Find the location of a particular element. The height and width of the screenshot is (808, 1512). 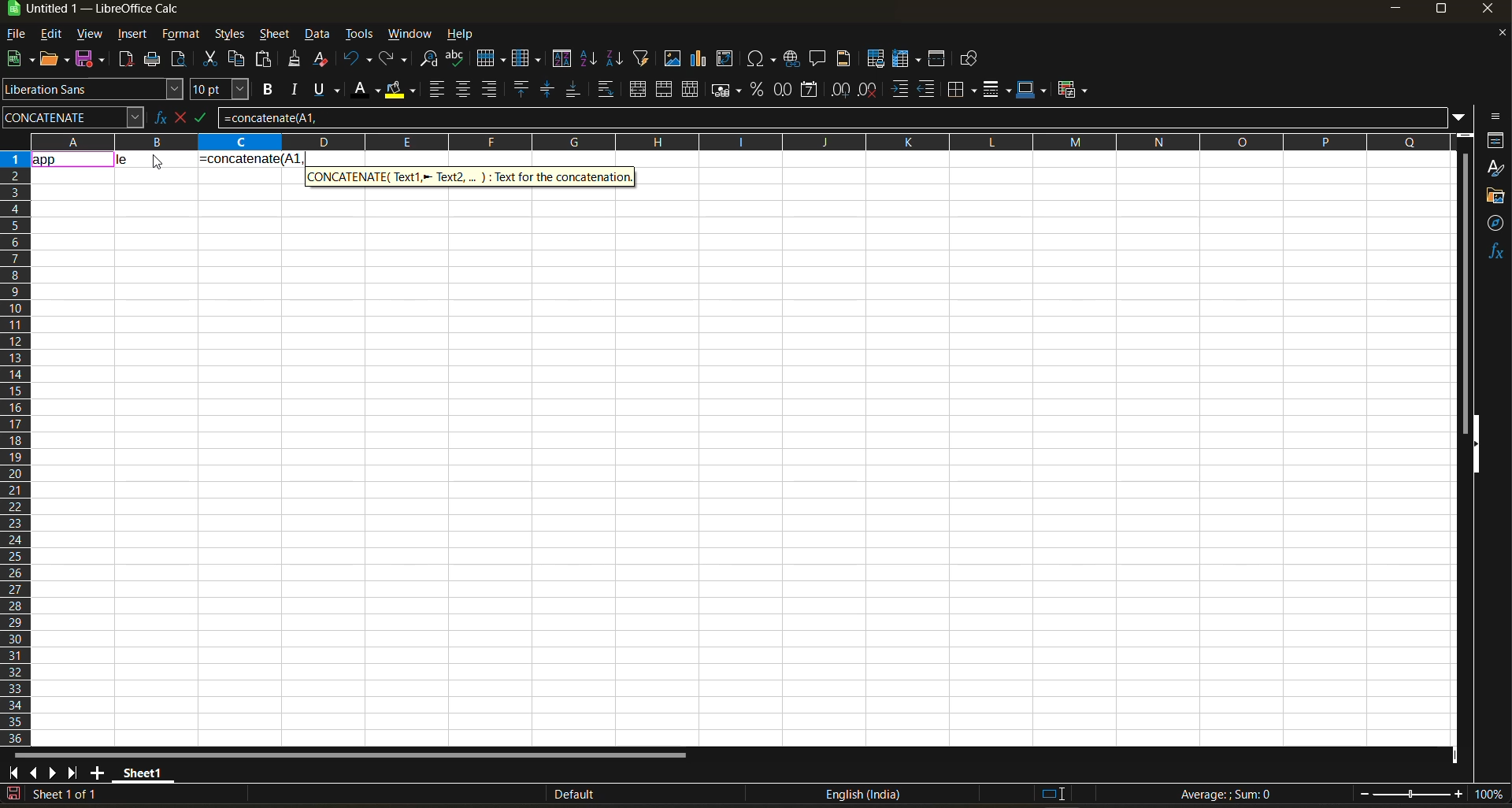

gallery is located at coordinates (1496, 198).